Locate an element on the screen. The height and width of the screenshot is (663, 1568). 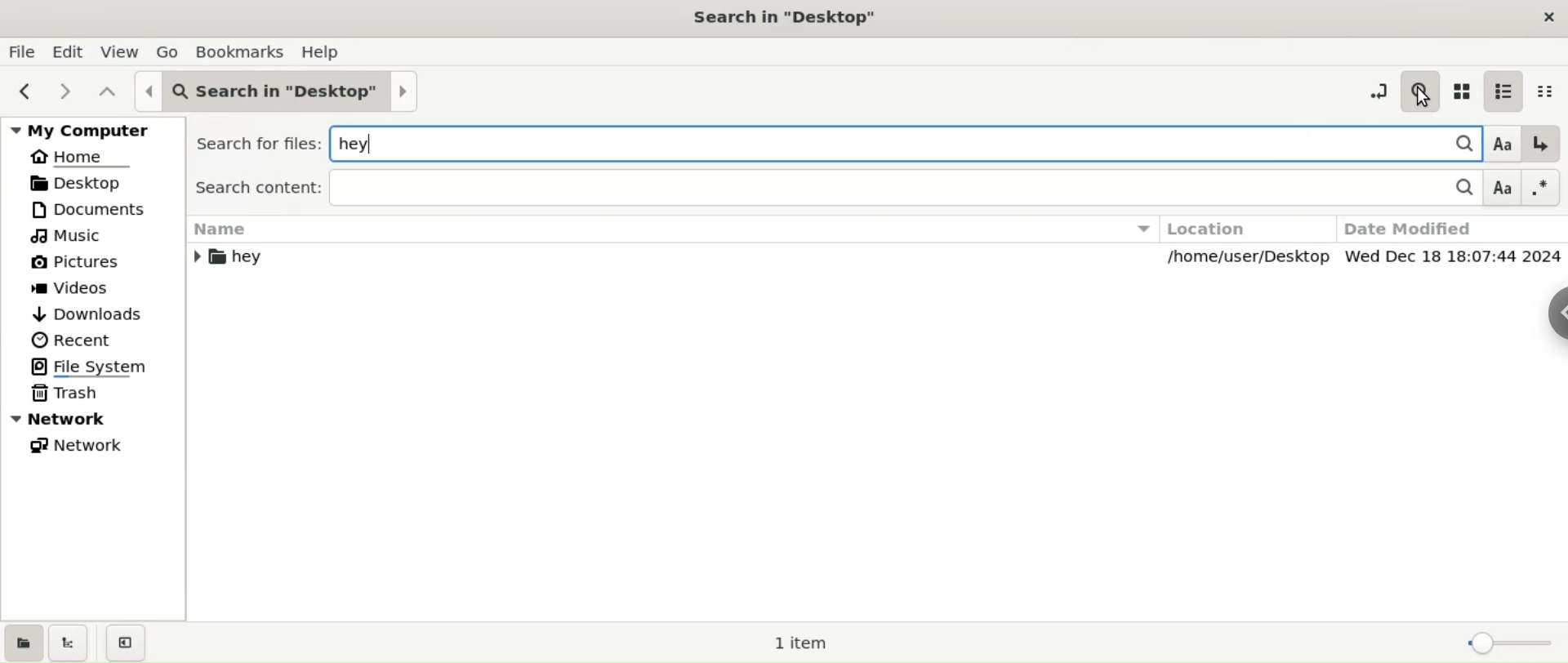
seaarch for files is located at coordinates (737, 140).